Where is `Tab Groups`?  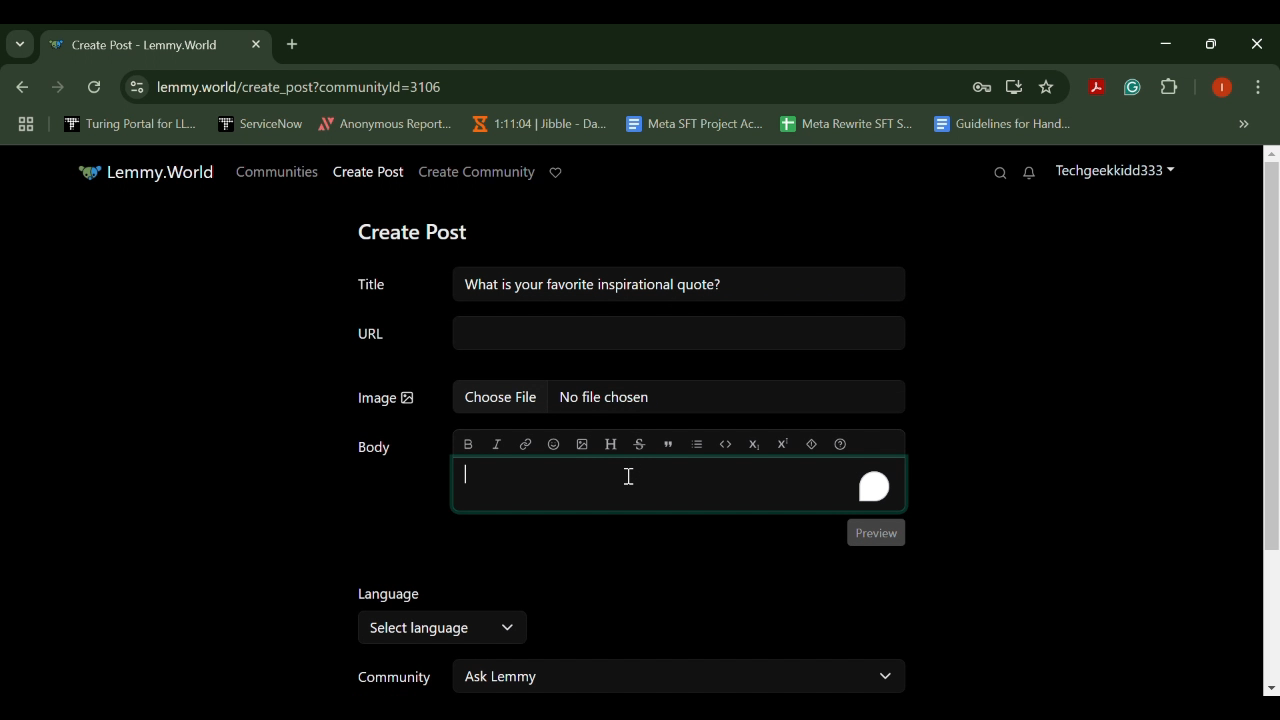
Tab Groups is located at coordinates (23, 125).